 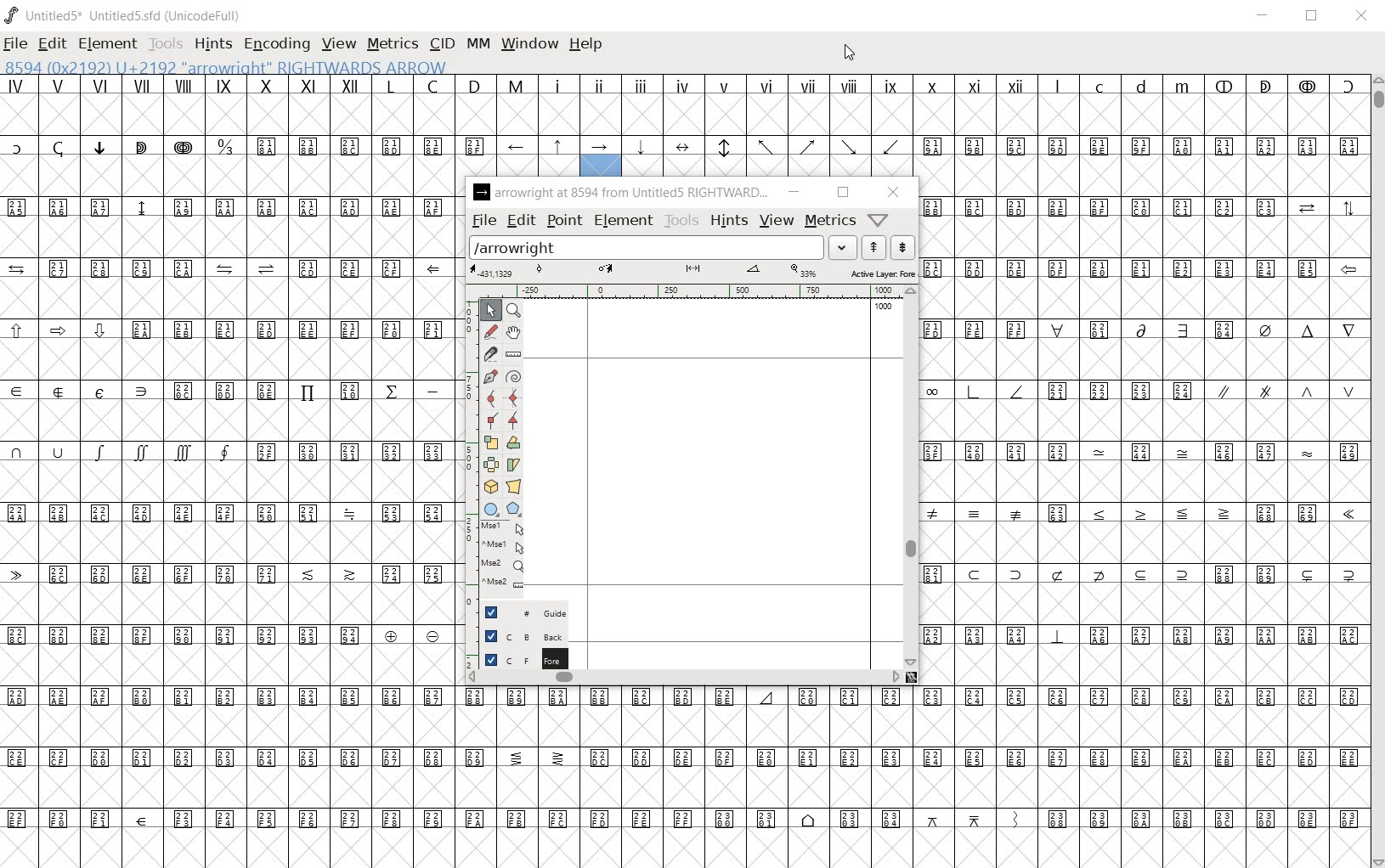 What do you see at coordinates (872, 247) in the screenshot?
I see `show the next word on the list` at bounding box center [872, 247].